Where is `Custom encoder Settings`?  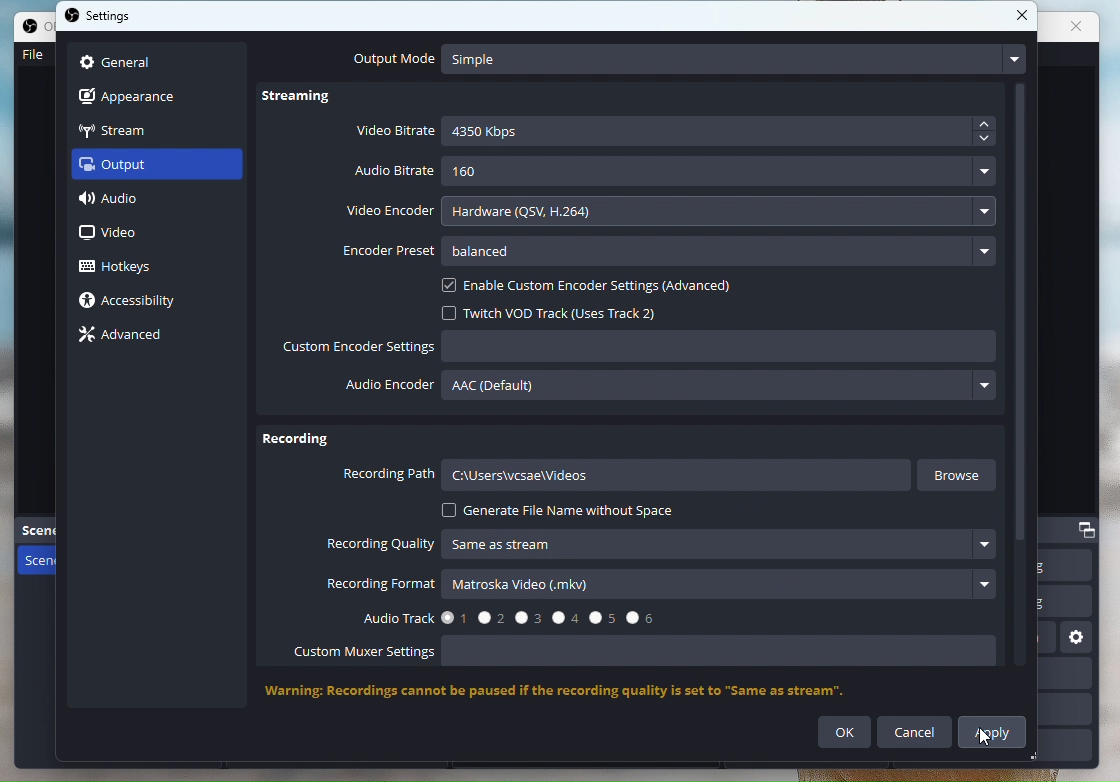 Custom encoder Settings is located at coordinates (641, 349).